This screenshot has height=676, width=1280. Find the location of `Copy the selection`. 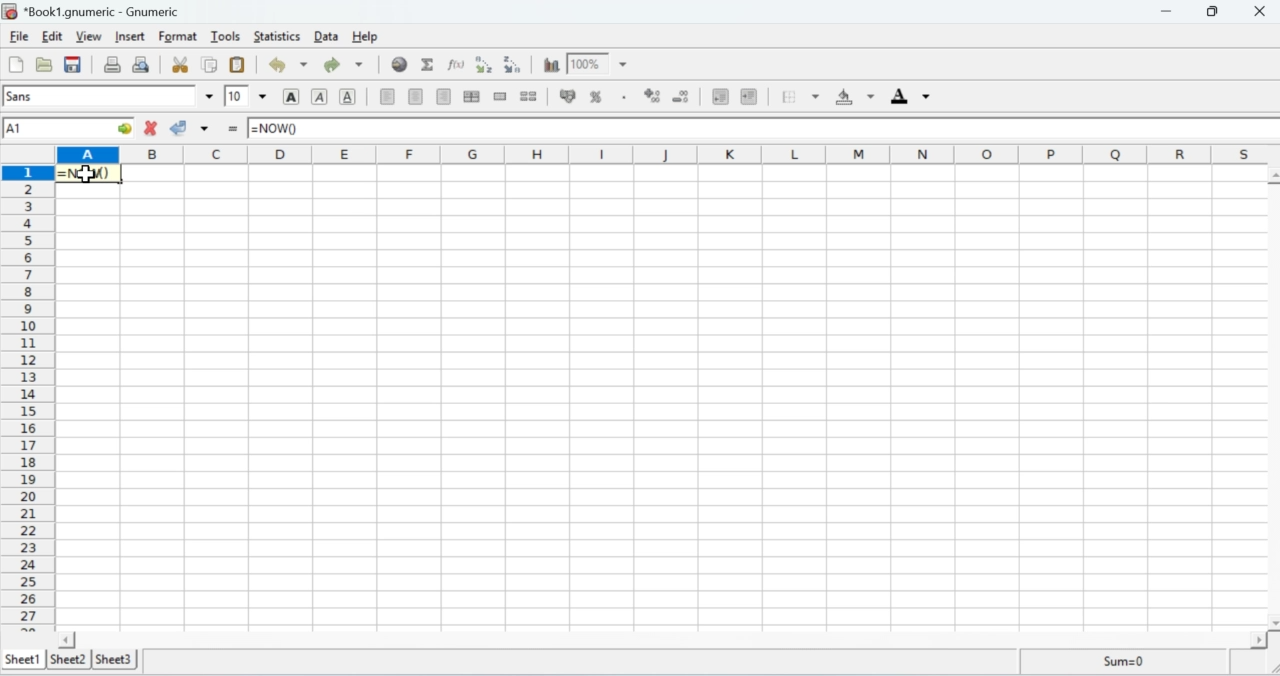

Copy the selection is located at coordinates (211, 63).